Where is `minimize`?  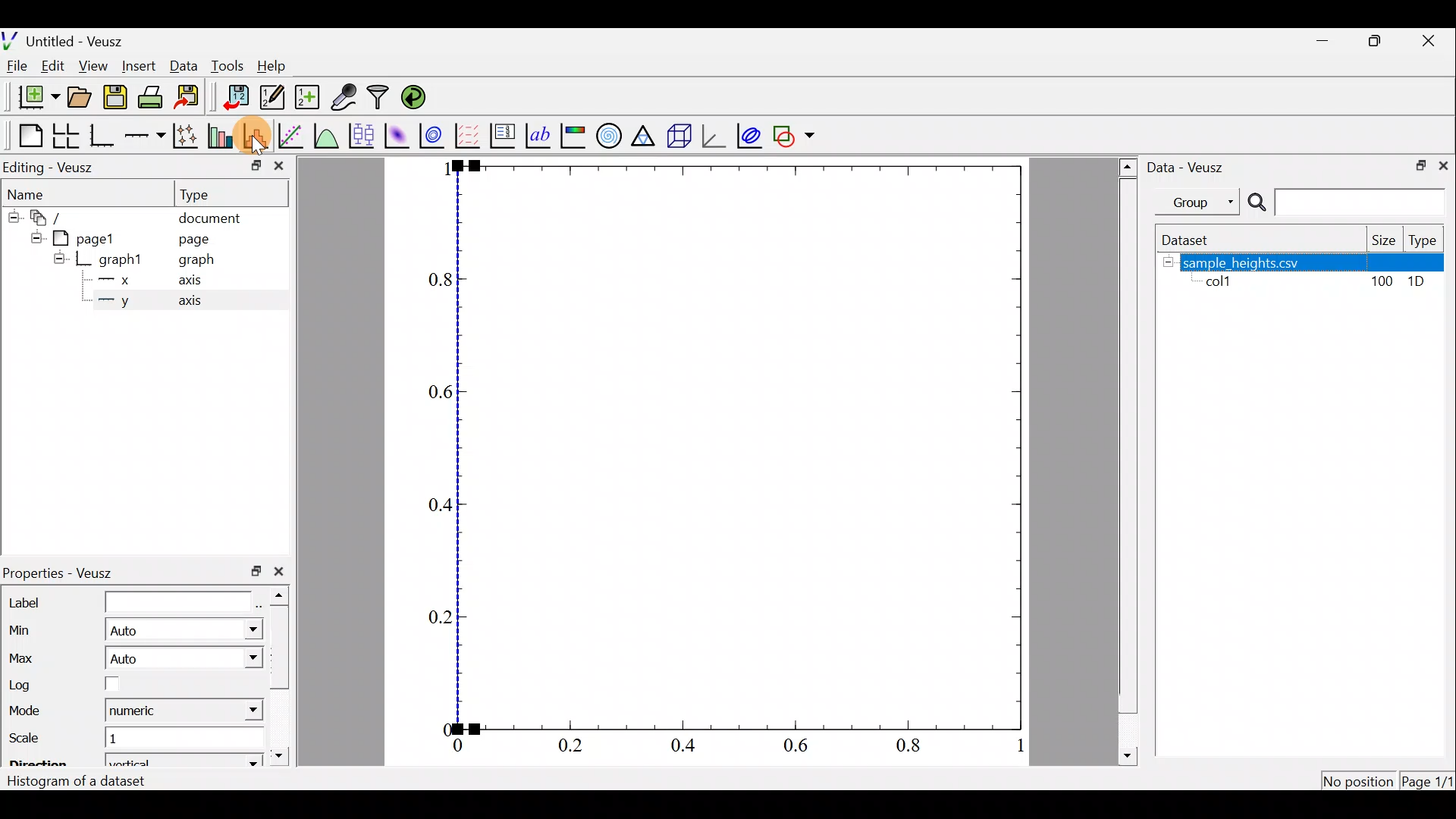 minimize is located at coordinates (1324, 45).